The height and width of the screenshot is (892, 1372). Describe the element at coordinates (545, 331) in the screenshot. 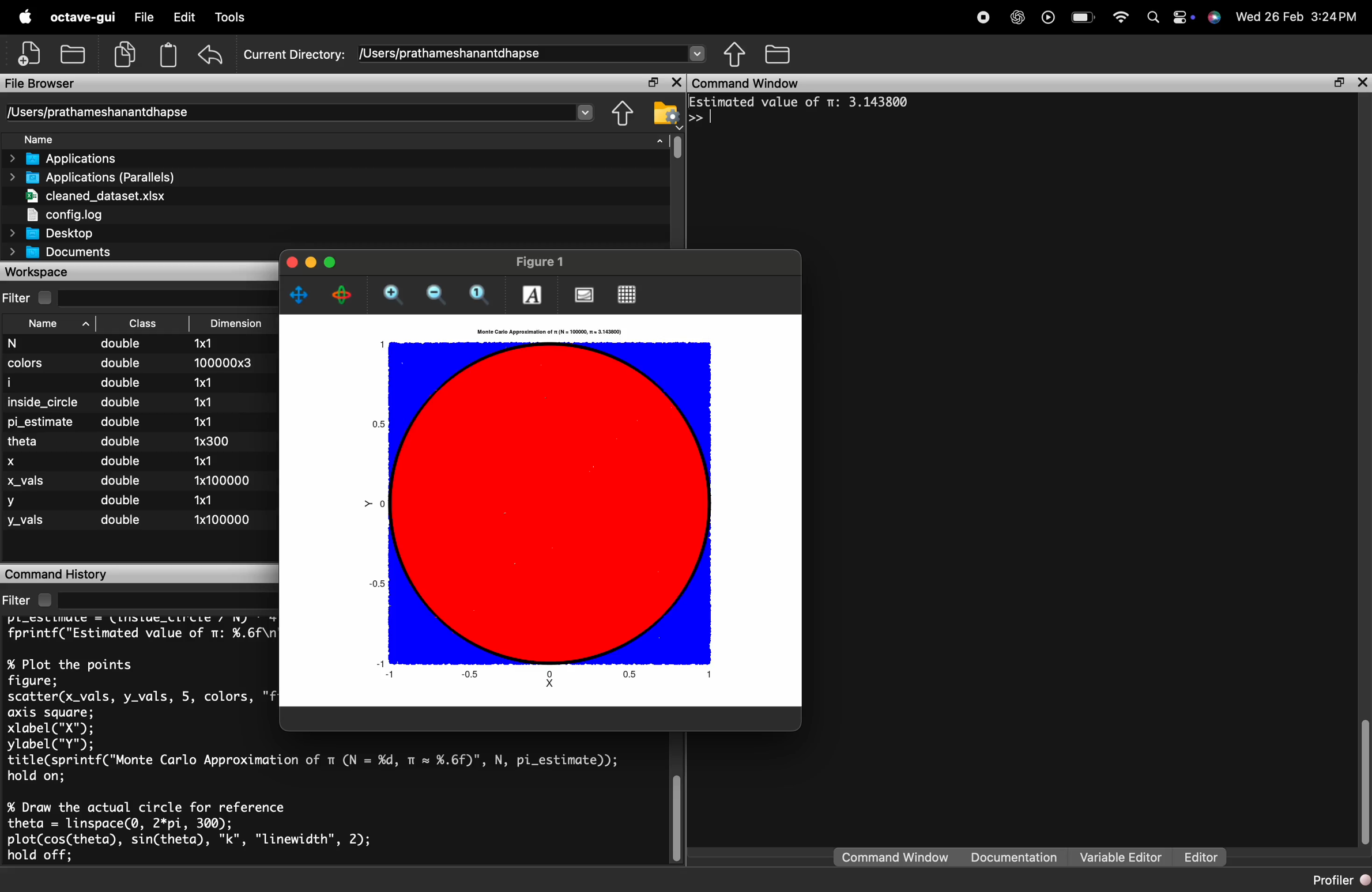

I see `Monte Carlo Approximation of (N = 100000, mt 3.143800)
Rr Sy abet RE C0 ge mo Ths RPL` at that location.